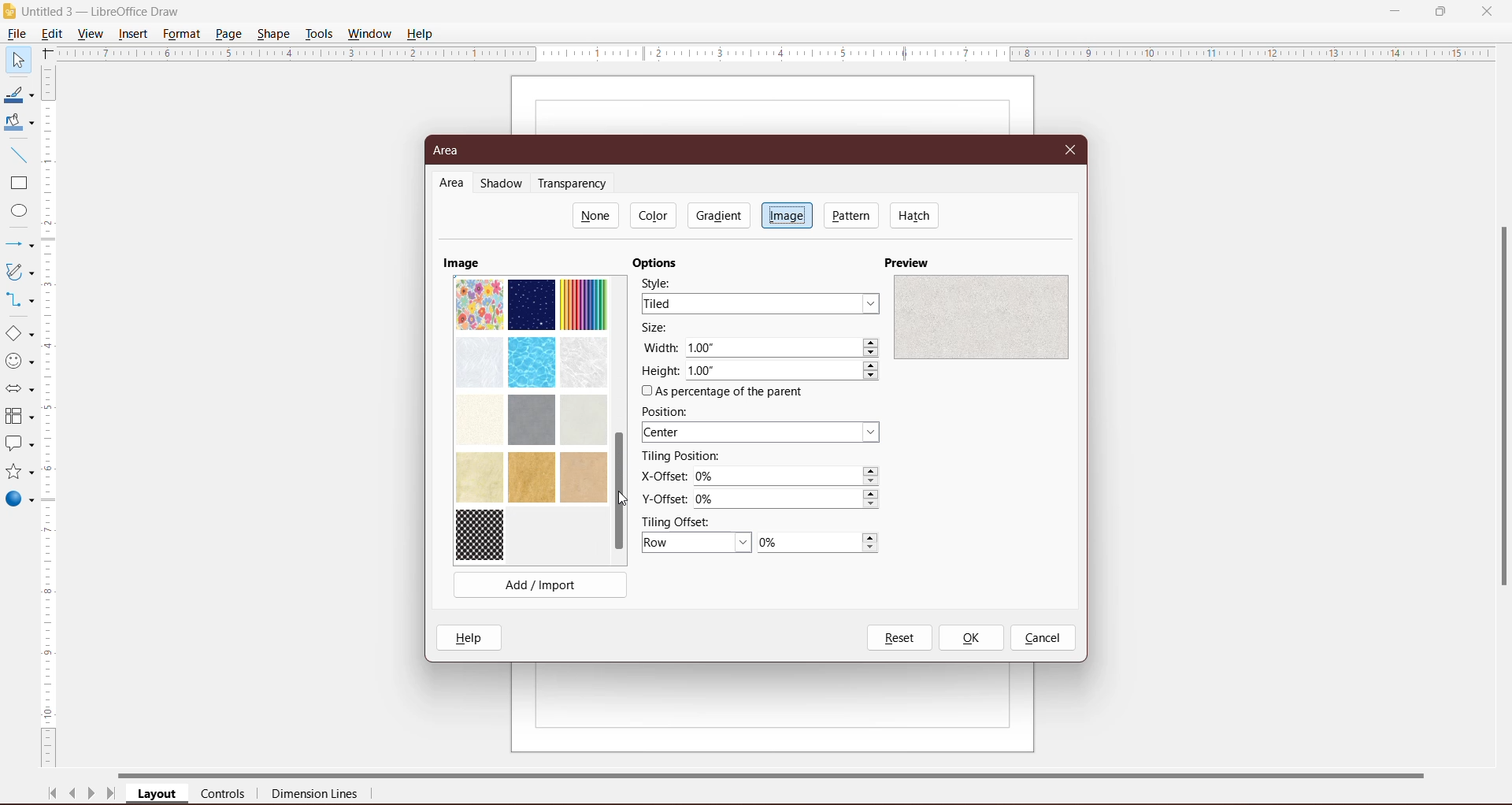 The height and width of the screenshot is (805, 1512). What do you see at coordinates (681, 456) in the screenshot?
I see `Tiling Position` at bounding box center [681, 456].